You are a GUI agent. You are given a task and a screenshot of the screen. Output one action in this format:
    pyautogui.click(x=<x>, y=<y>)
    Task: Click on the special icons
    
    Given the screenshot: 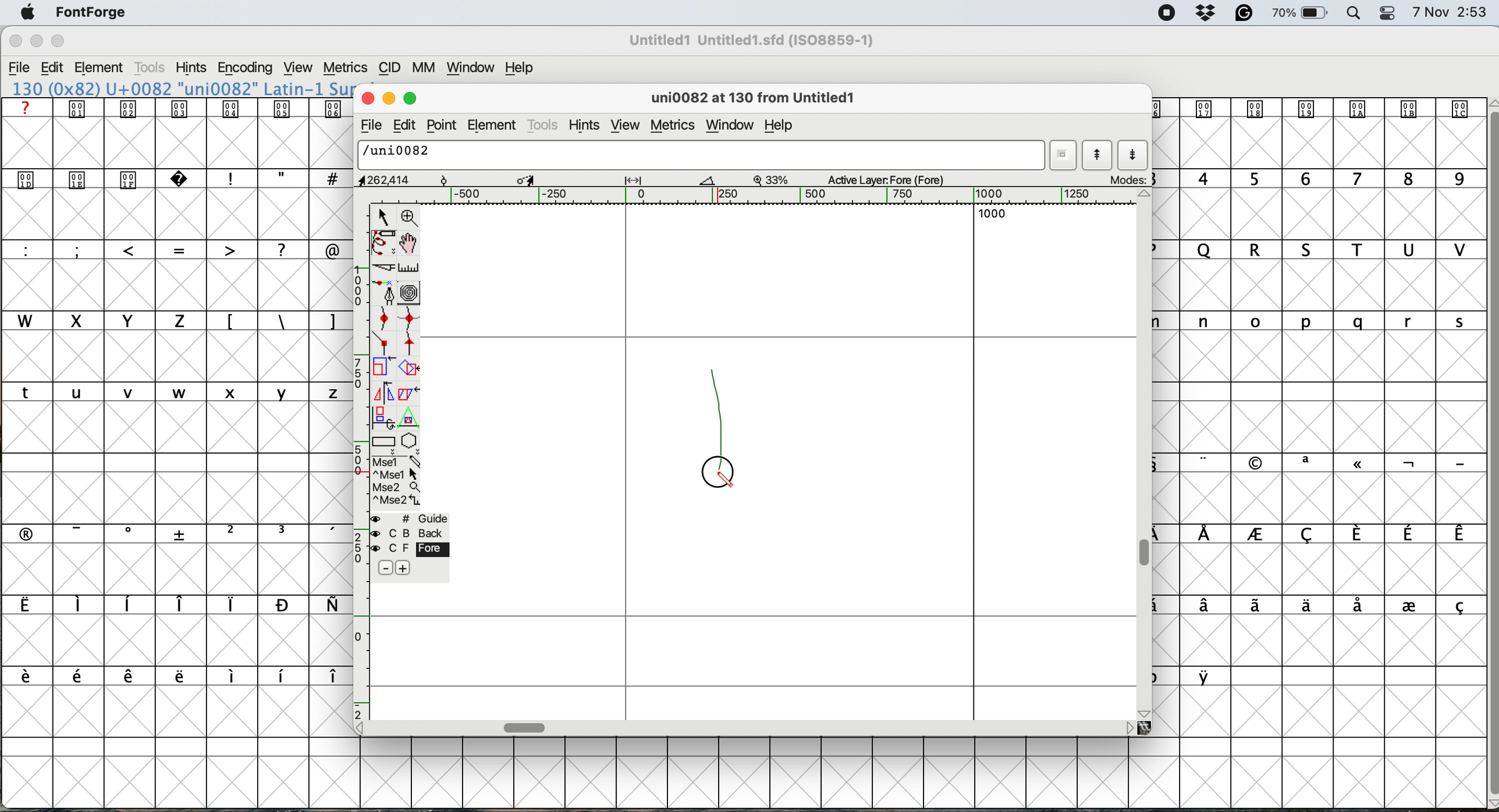 What is the action you would take?
    pyautogui.click(x=177, y=108)
    